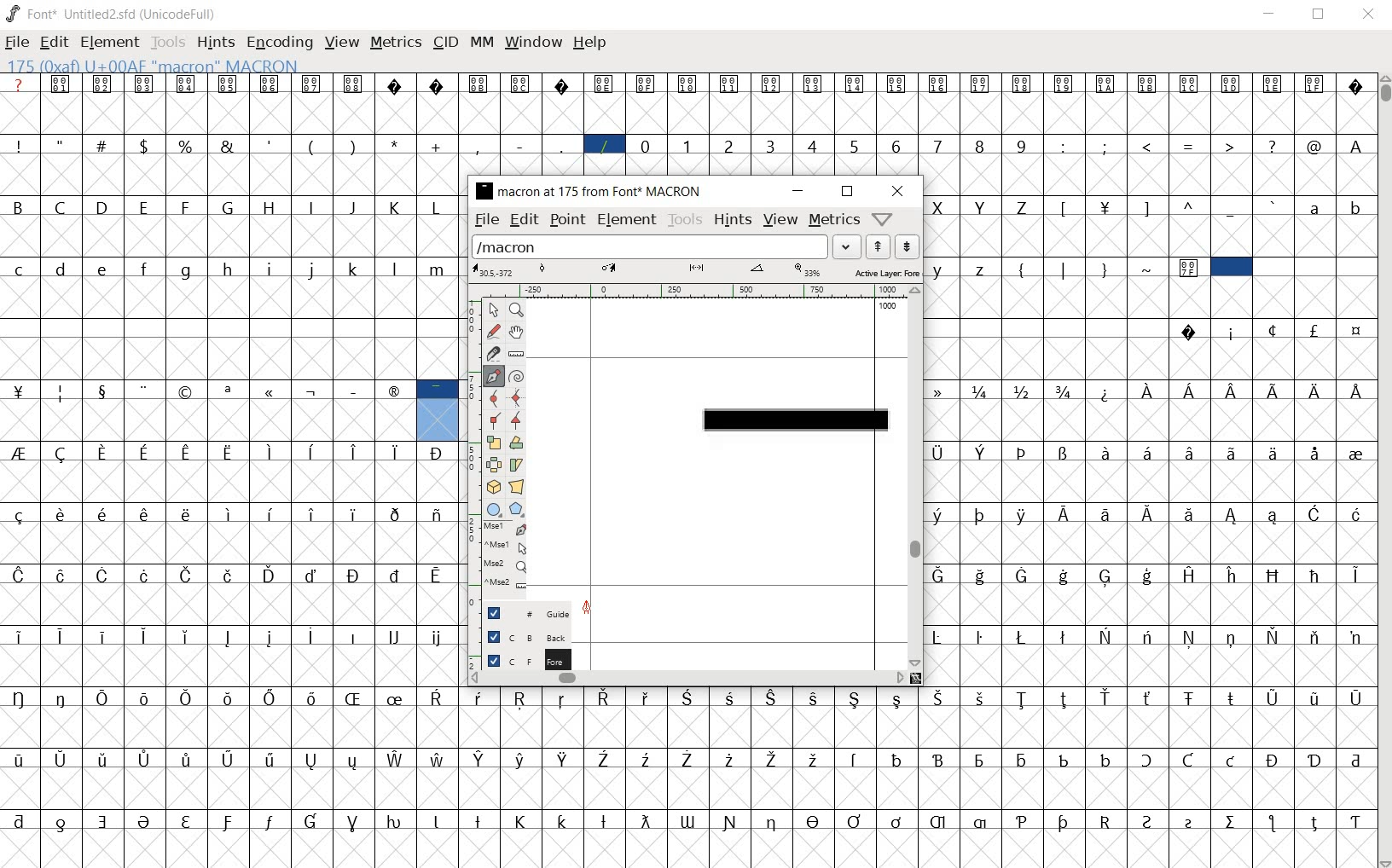 The image size is (1392, 868). I want to click on Symbol, so click(356, 513).